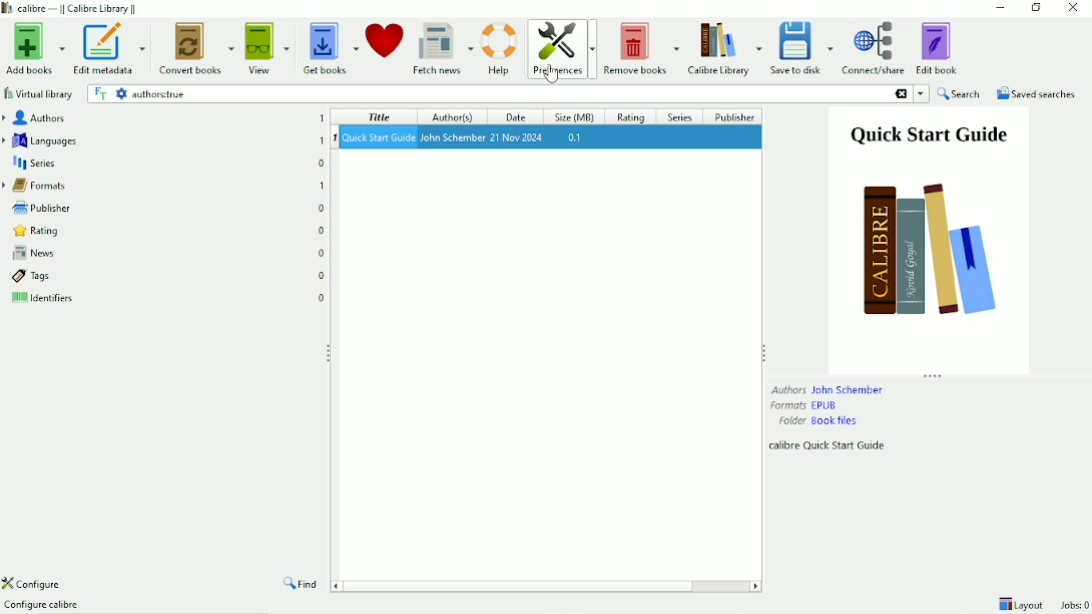 Image resolution: width=1092 pixels, height=614 pixels. Describe the element at coordinates (1020, 603) in the screenshot. I see `` at that location.